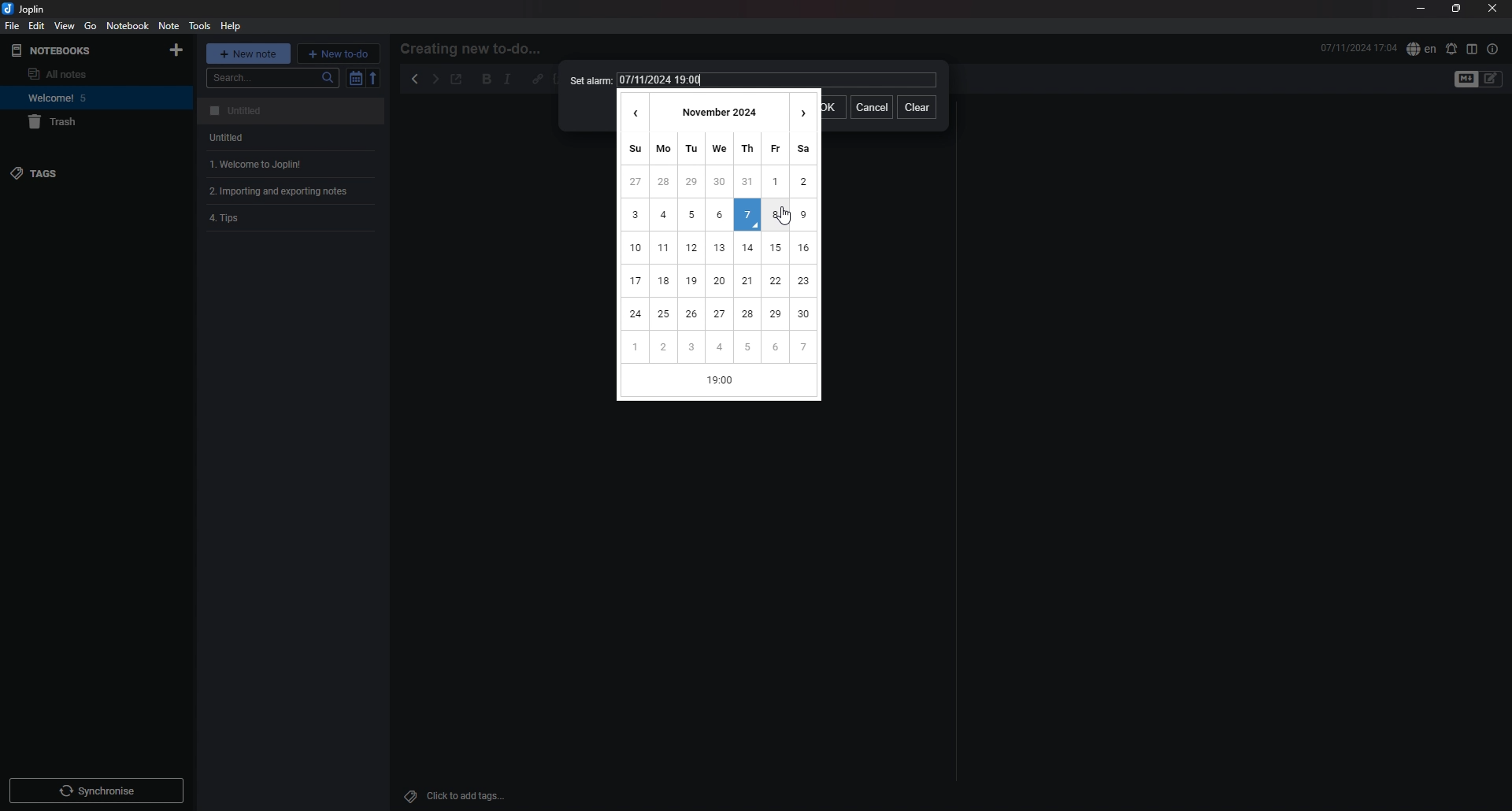  What do you see at coordinates (91, 26) in the screenshot?
I see `go` at bounding box center [91, 26].